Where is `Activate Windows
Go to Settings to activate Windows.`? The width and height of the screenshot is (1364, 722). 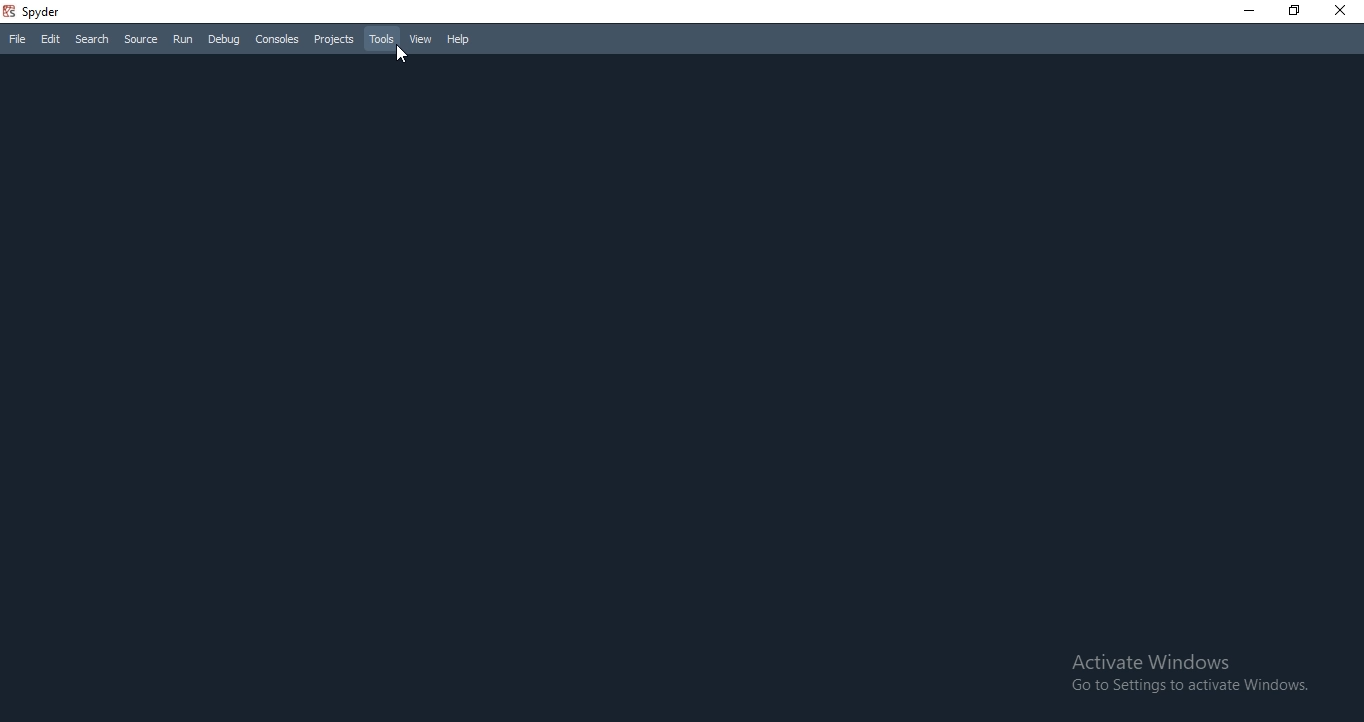
Activate Windows
Go to Settings to activate Windows. is located at coordinates (1187, 672).